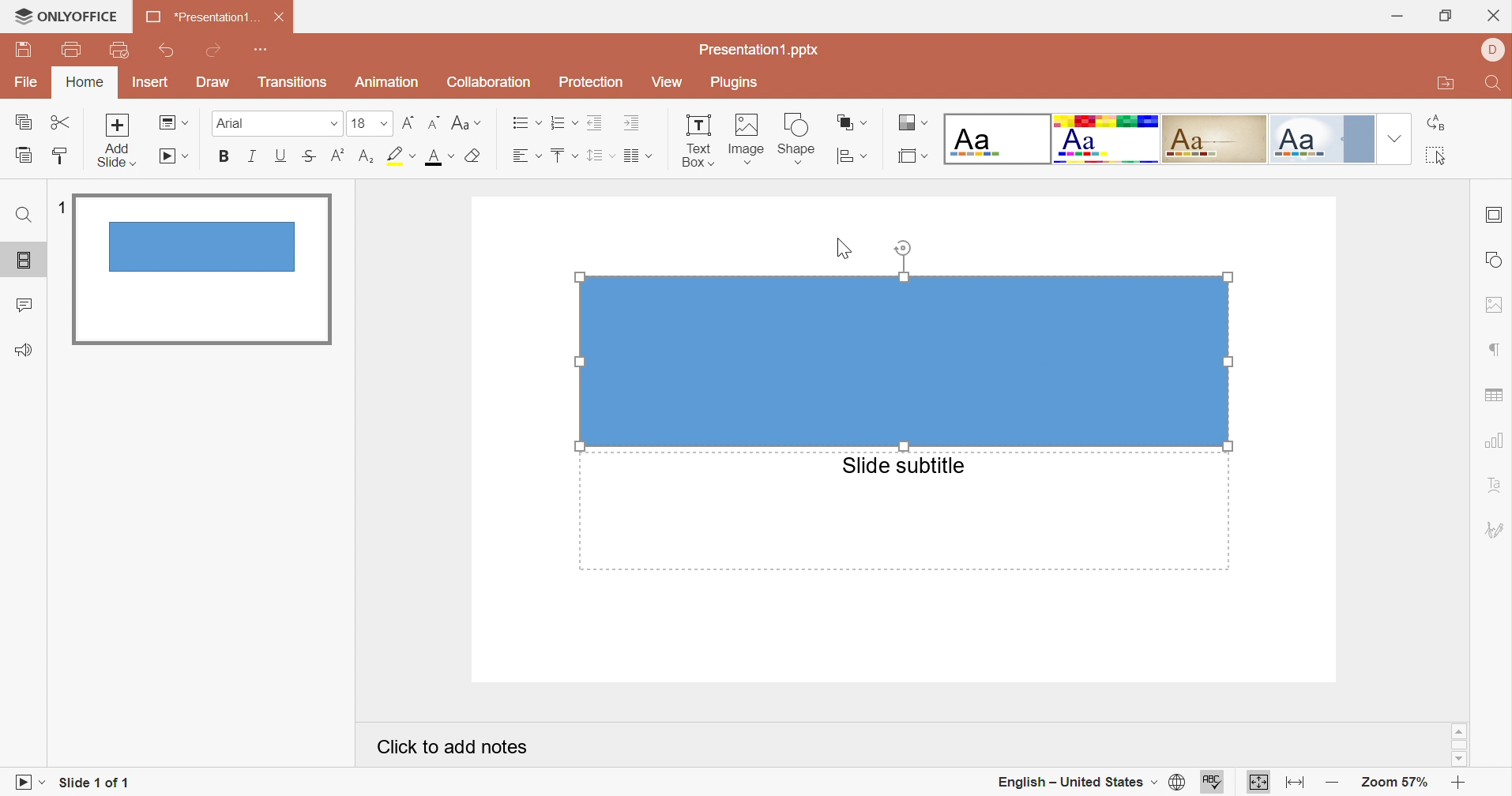  I want to click on Redo, so click(215, 52).